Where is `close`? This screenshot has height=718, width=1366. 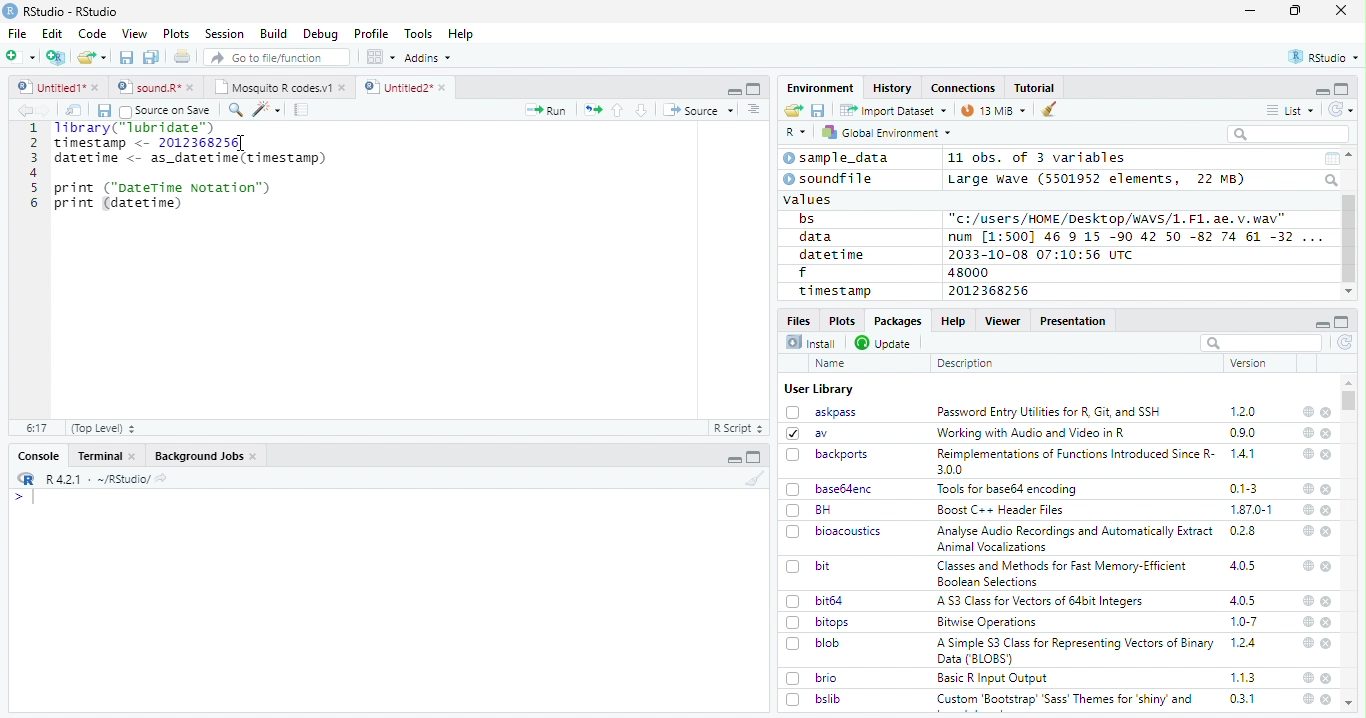 close is located at coordinates (1328, 532).